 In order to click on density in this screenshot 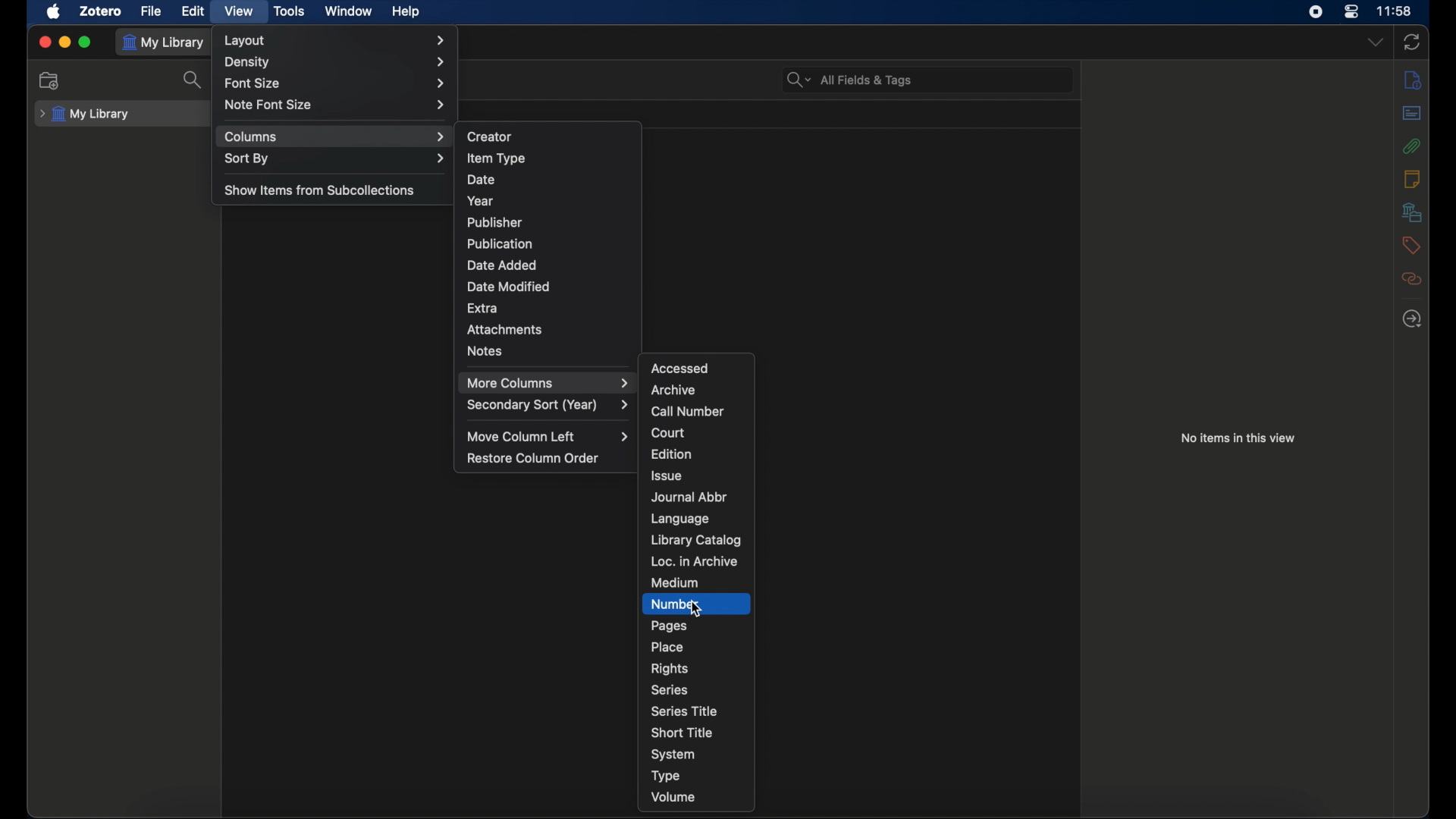, I will do `click(335, 63)`.